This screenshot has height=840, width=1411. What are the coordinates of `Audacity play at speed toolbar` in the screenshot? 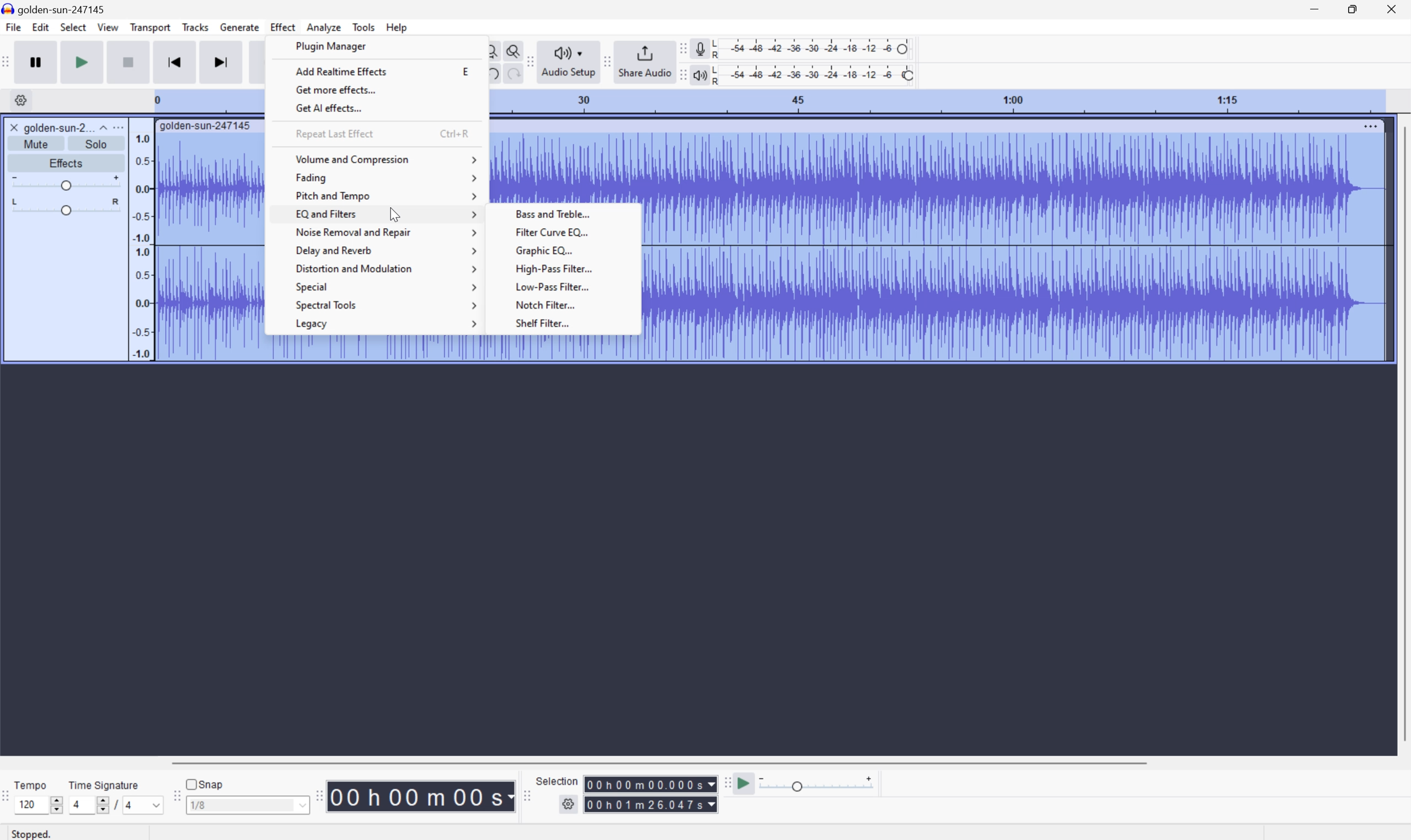 It's located at (726, 784).